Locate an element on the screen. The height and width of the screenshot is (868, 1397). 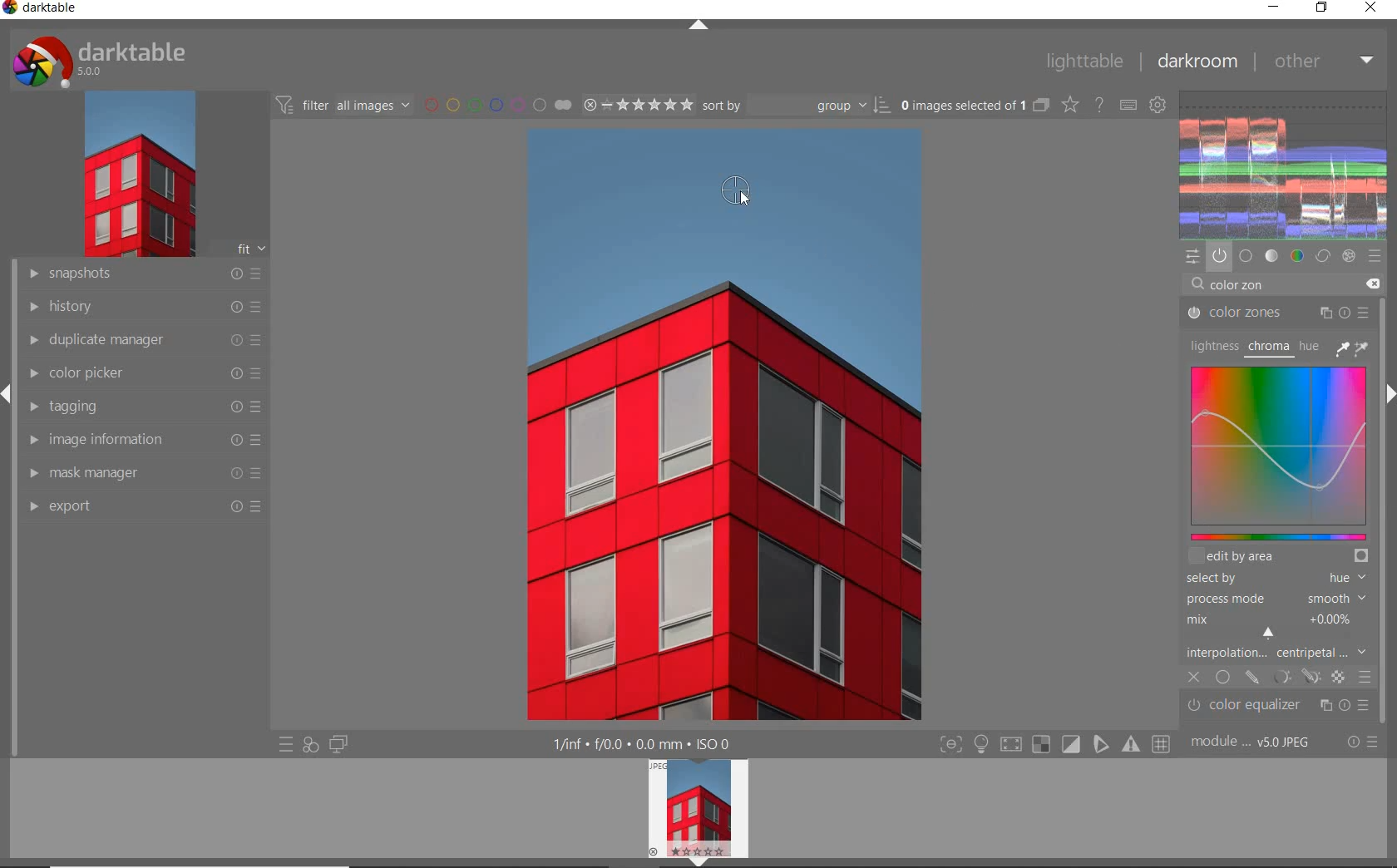
expand/collapse is located at coordinates (1389, 397).